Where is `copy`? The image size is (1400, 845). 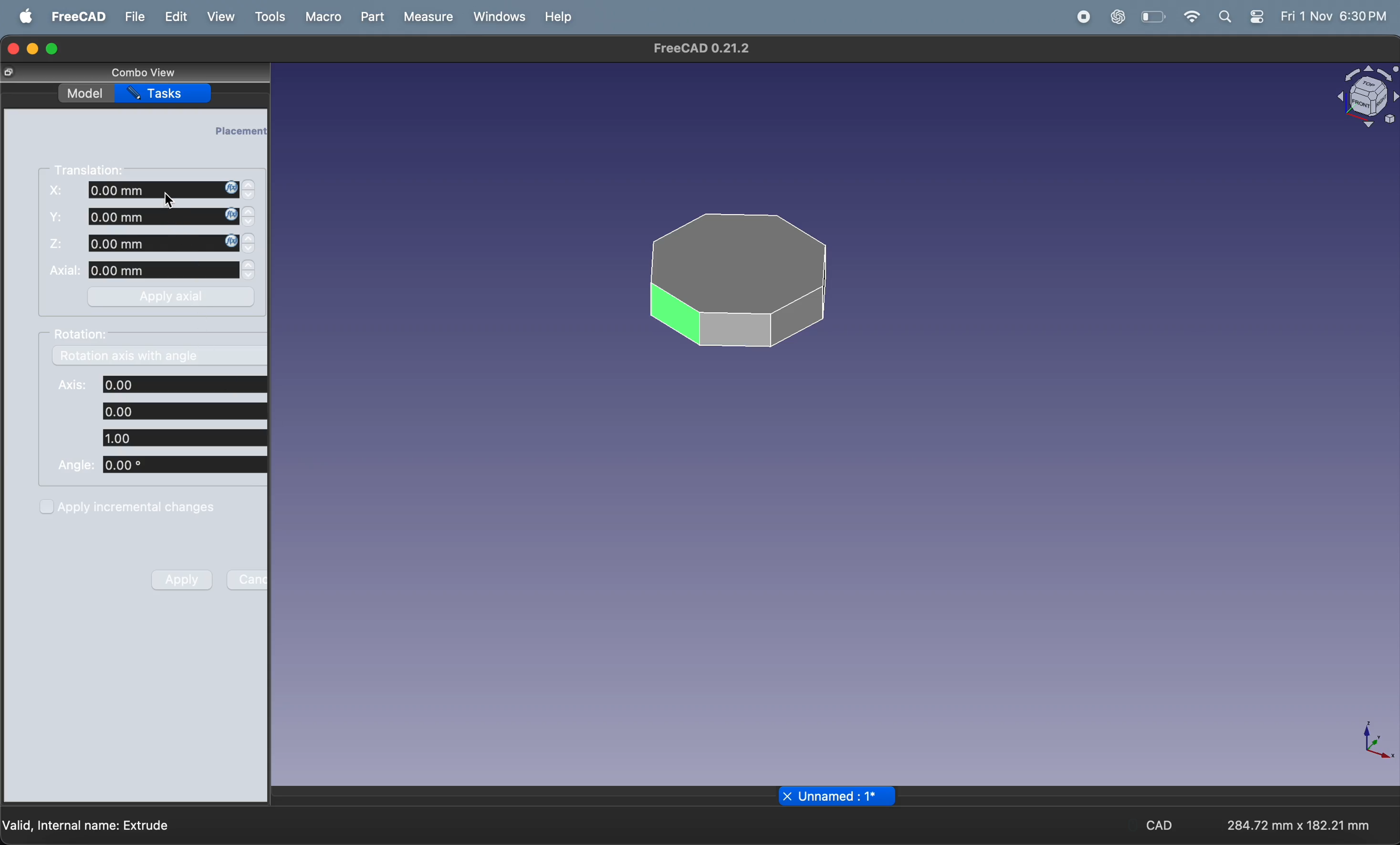 copy is located at coordinates (10, 73).